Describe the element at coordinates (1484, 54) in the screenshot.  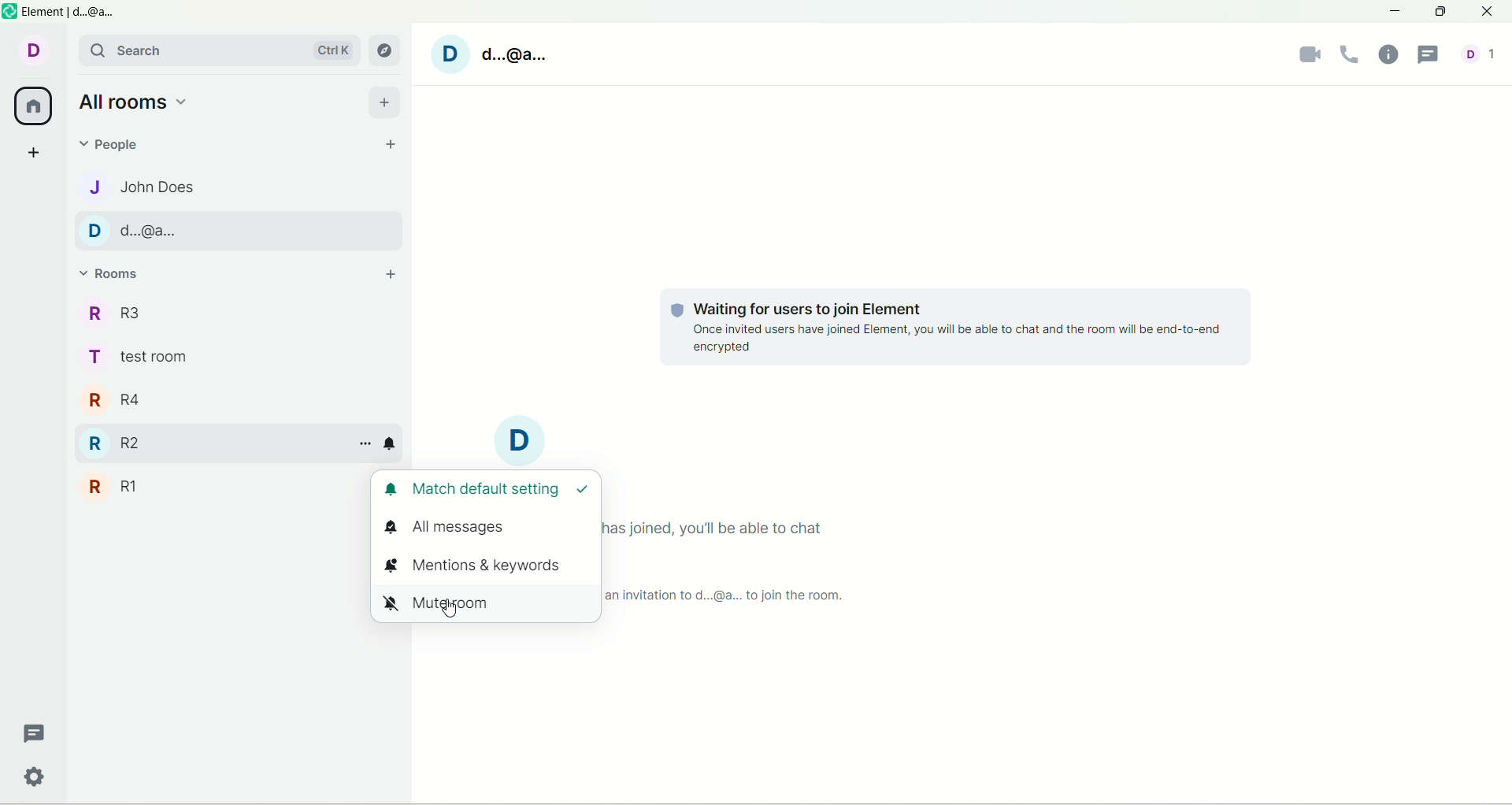
I see `people` at that location.